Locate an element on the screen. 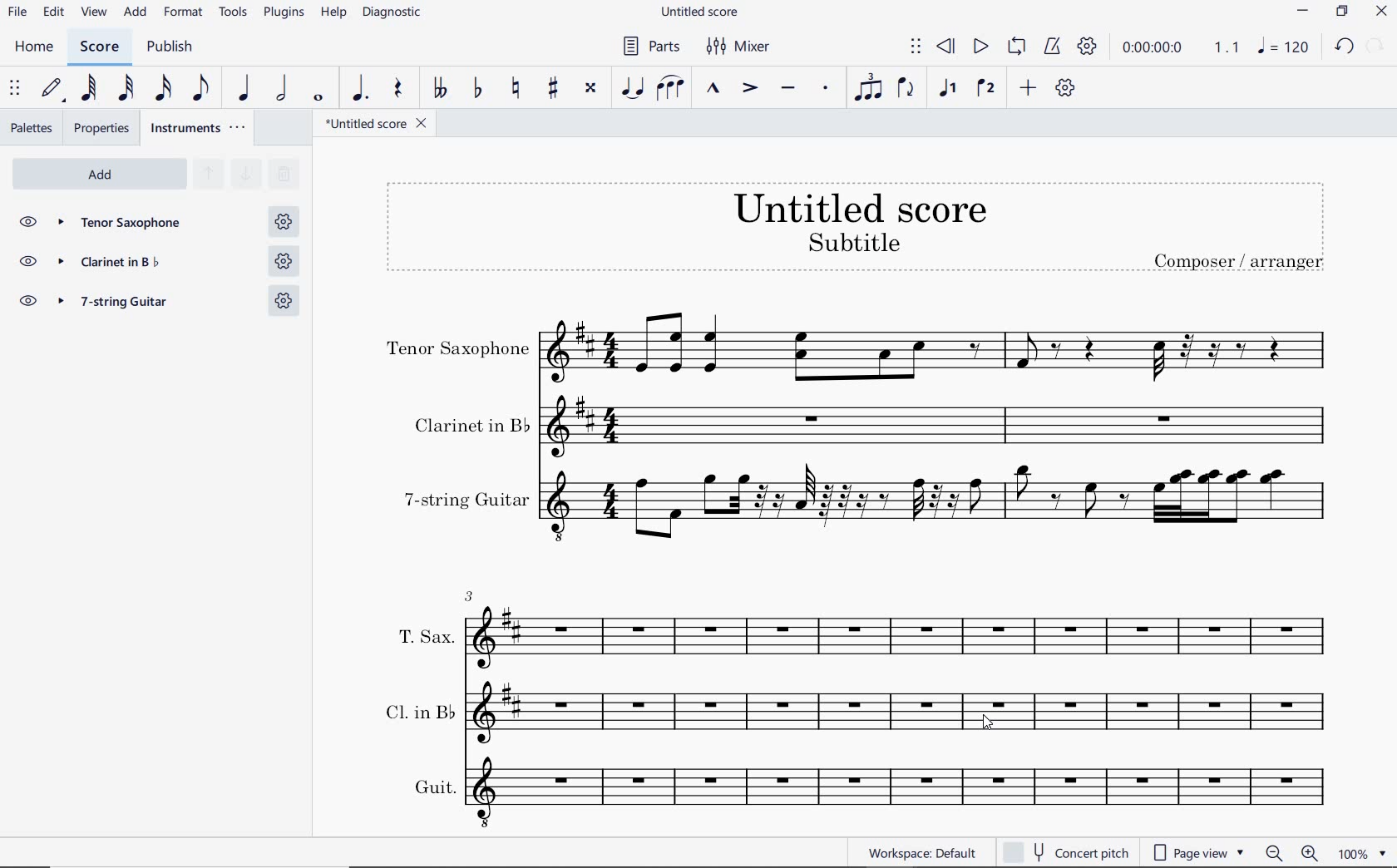 This screenshot has height=868, width=1397. INSTRUMENT: 7-STRING GUITAR is located at coordinates (856, 503).